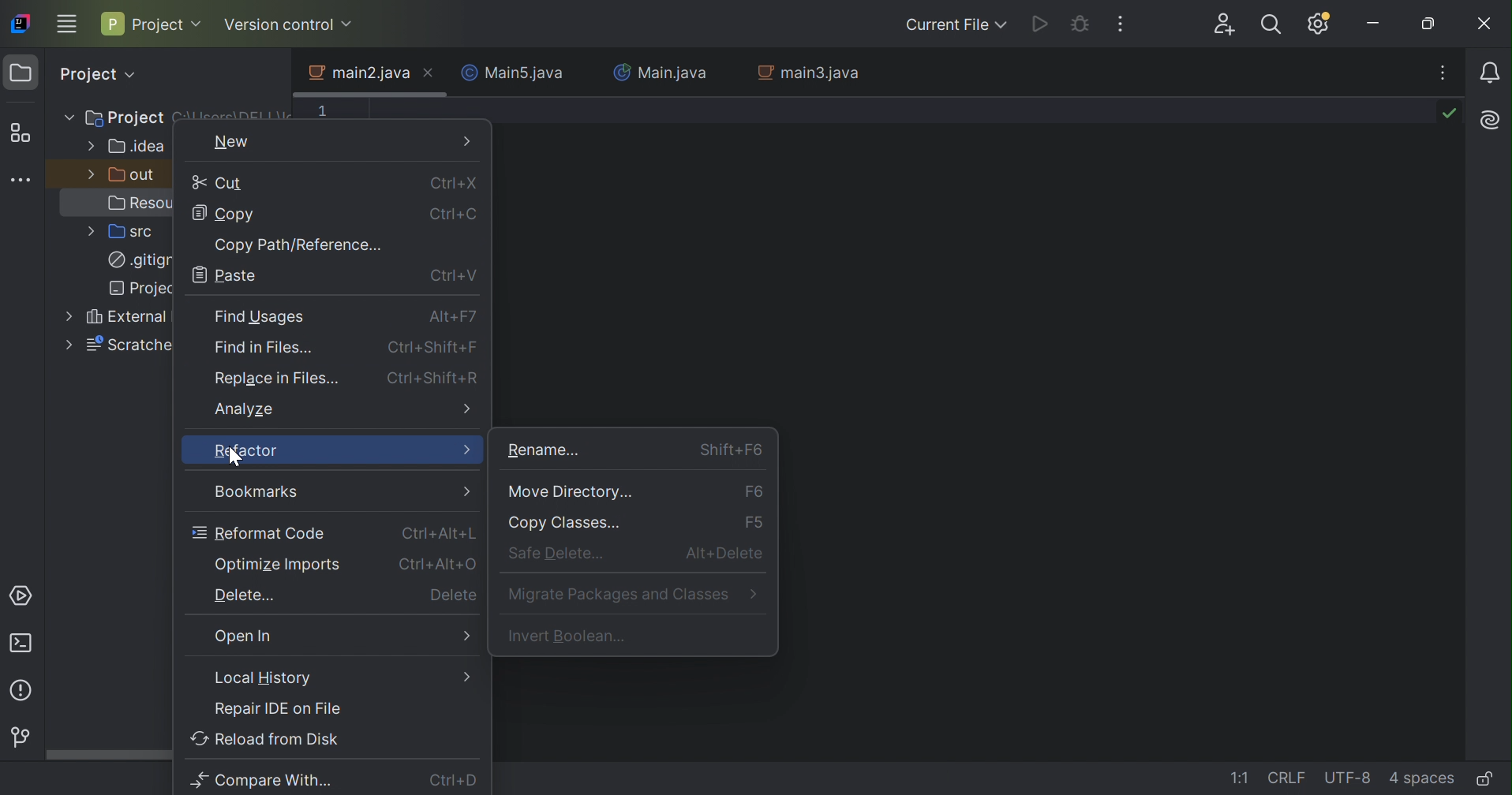  I want to click on Cut, so click(219, 184).